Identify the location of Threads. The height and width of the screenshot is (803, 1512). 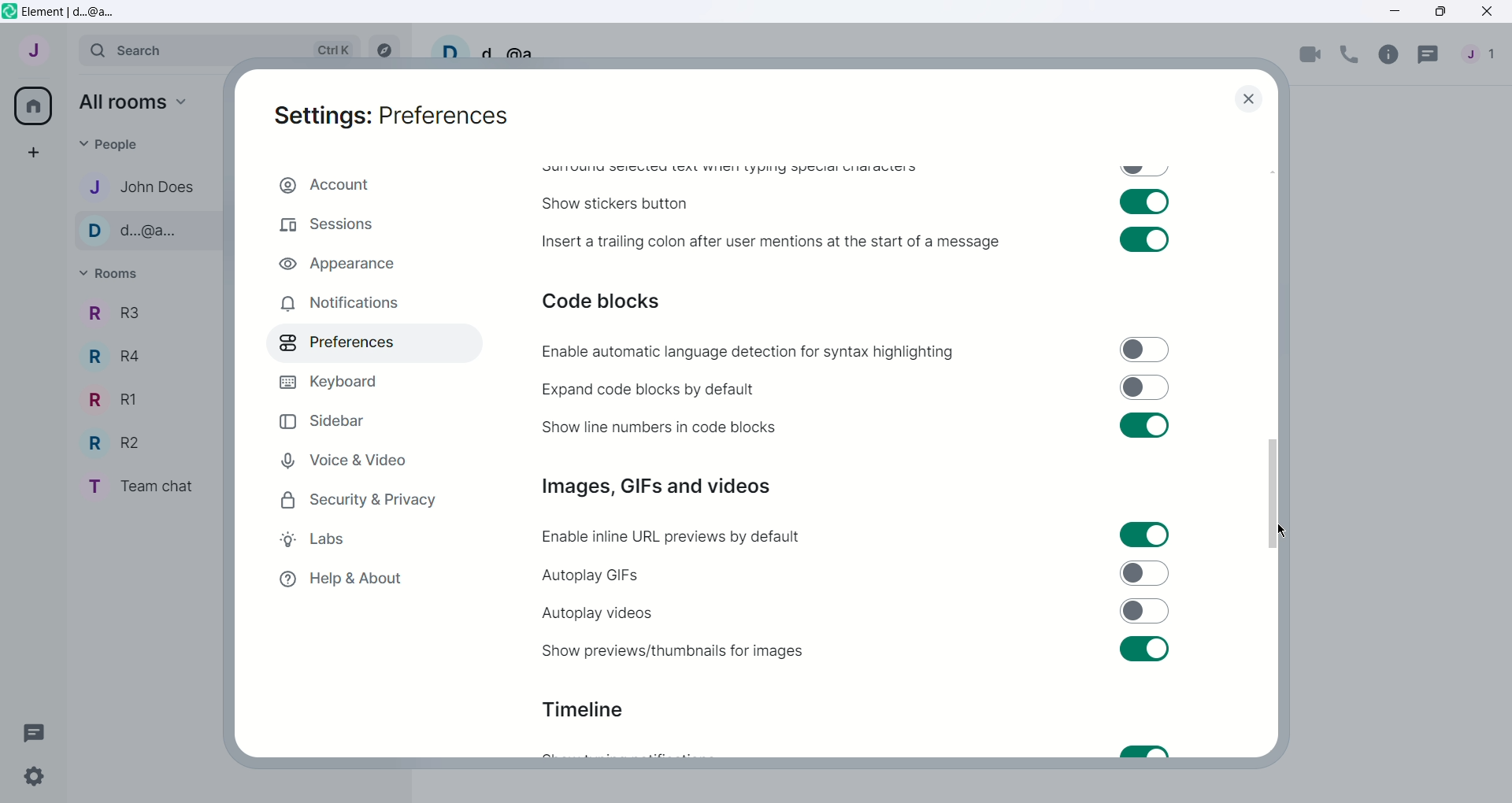
(1429, 57).